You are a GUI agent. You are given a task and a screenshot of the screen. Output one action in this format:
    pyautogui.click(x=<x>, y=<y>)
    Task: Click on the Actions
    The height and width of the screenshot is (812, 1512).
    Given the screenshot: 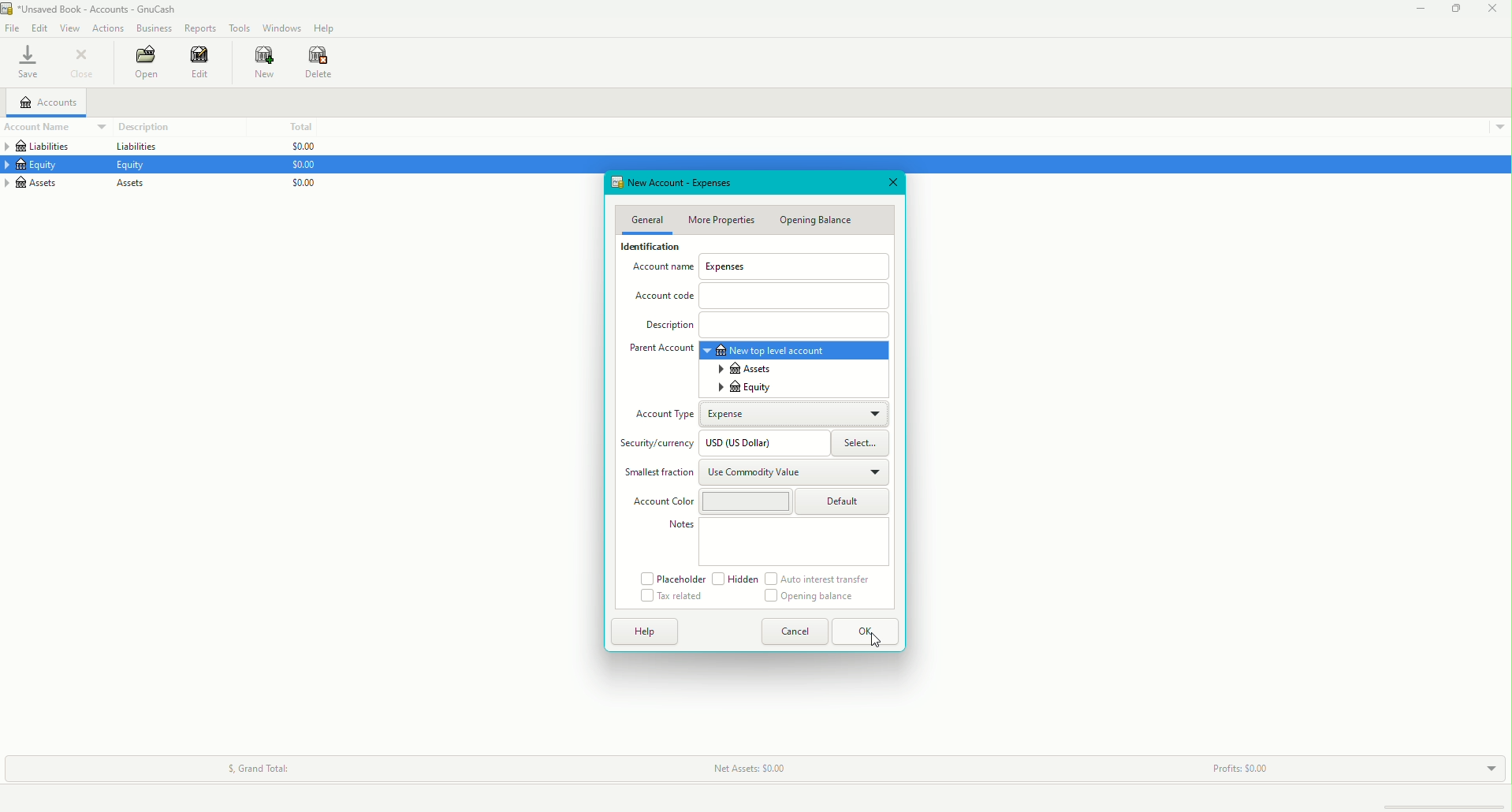 What is the action you would take?
    pyautogui.click(x=110, y=28)
    